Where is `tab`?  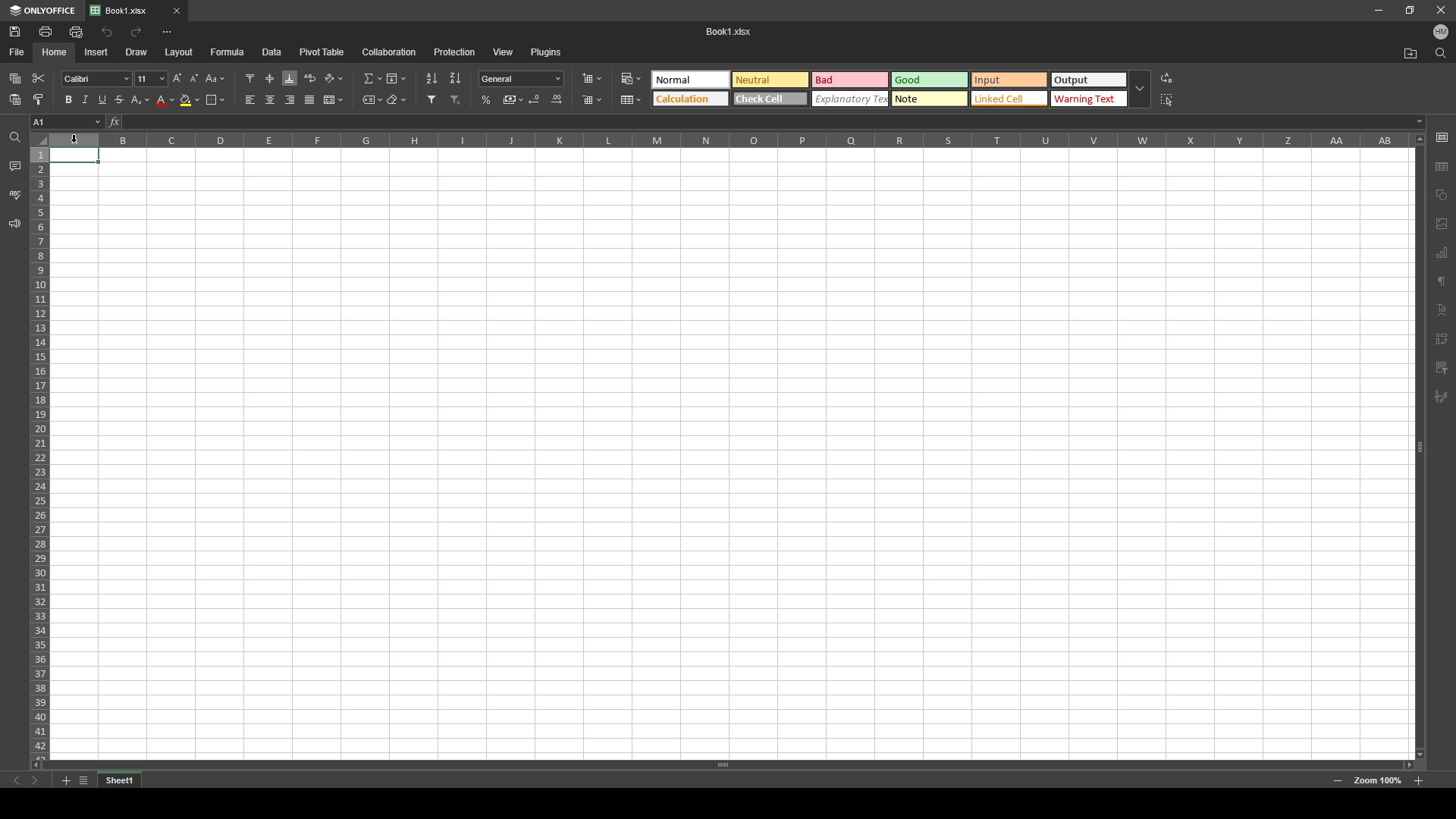 tab is located at coordinates (120, 781).